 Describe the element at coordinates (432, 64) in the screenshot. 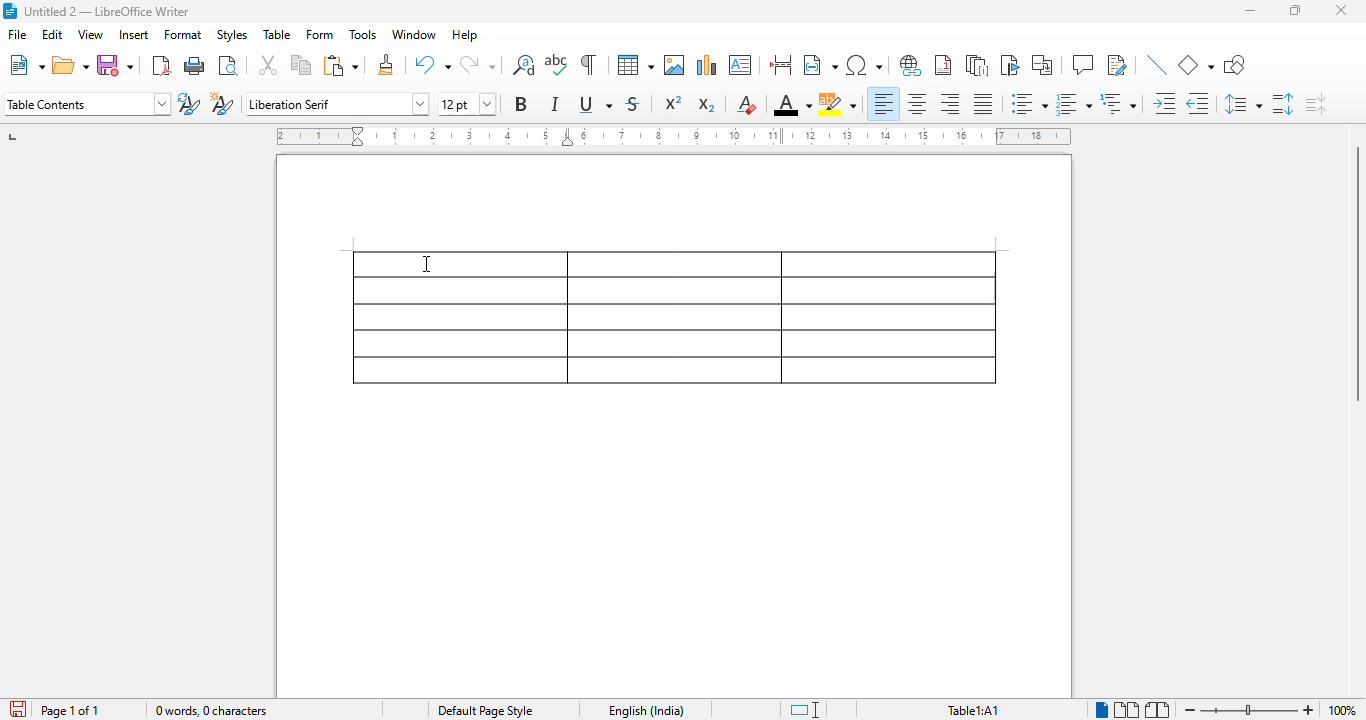

I see `undo` at that location.